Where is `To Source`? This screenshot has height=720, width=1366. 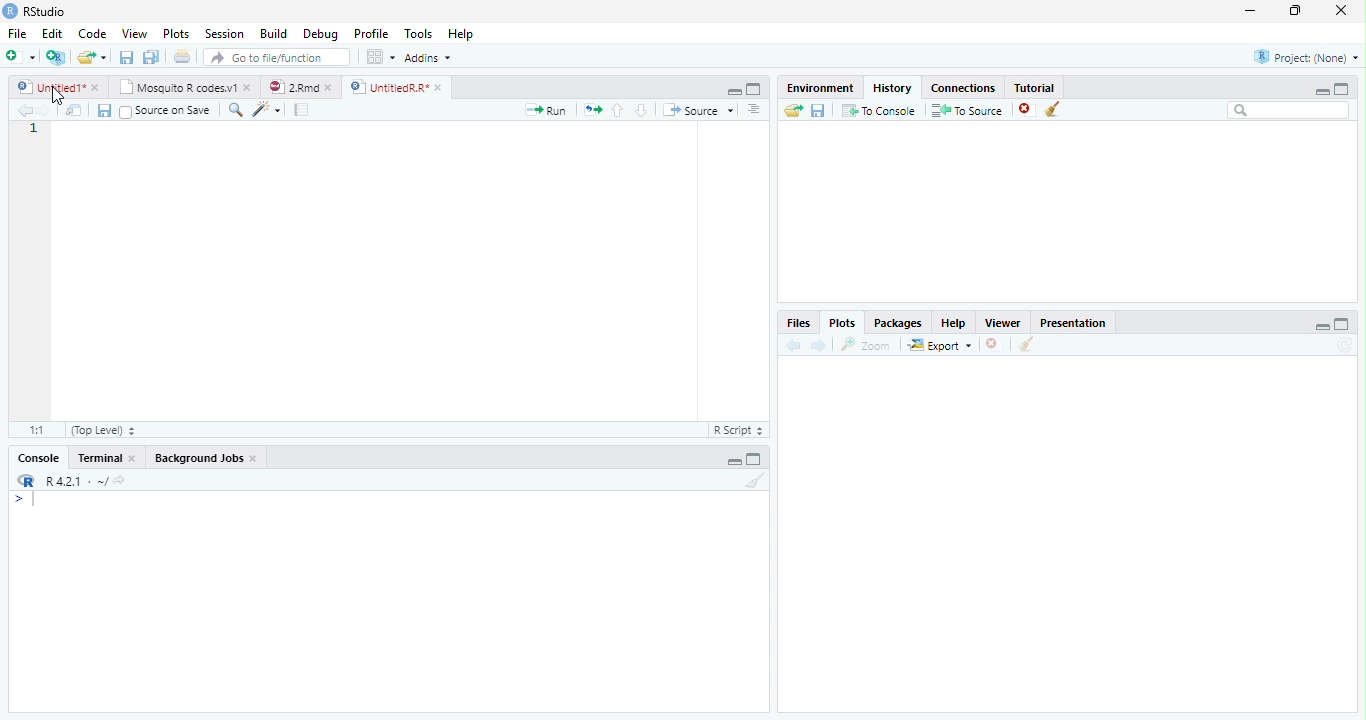
To Source is located at coordinates (966, 110).